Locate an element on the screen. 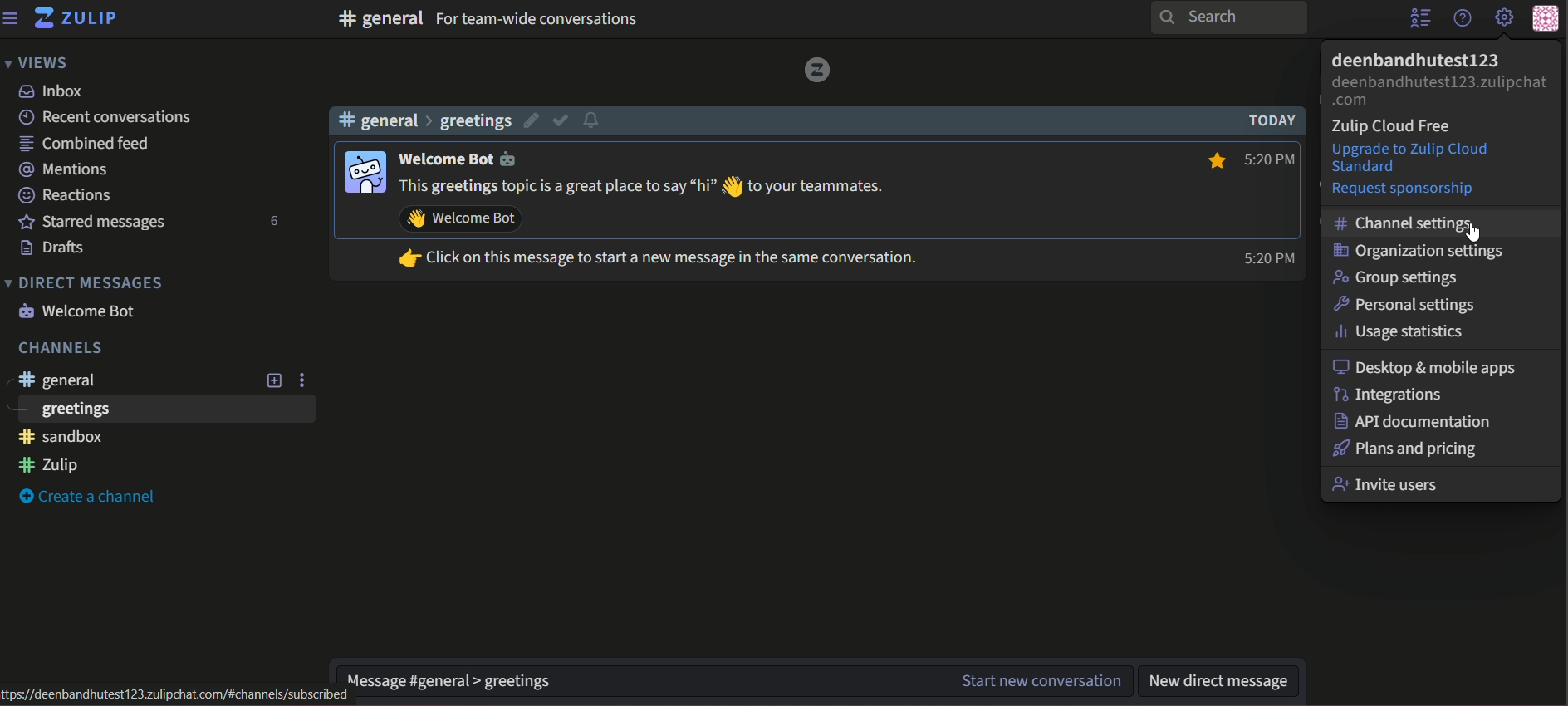 This screenshot has width=1568, height=706. expand is located at coordinates (273, 380).